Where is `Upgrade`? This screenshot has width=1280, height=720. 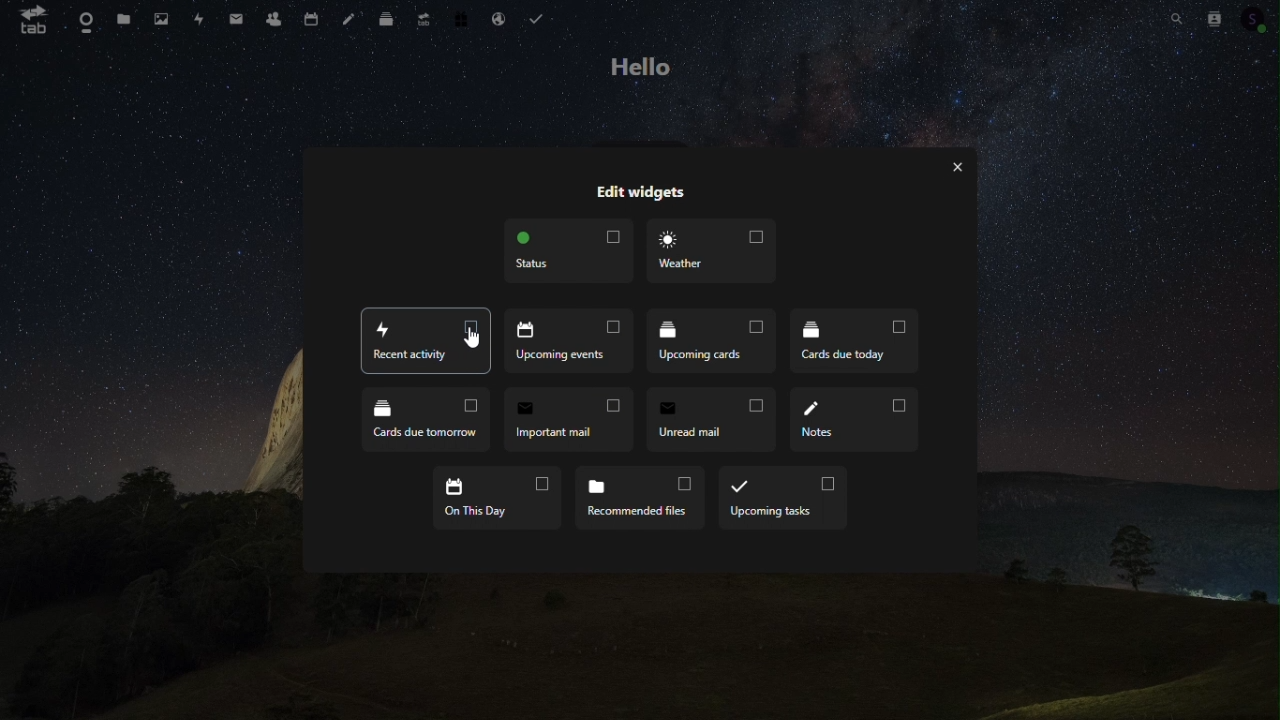 Upgrade is located at coordinates (422, 21).